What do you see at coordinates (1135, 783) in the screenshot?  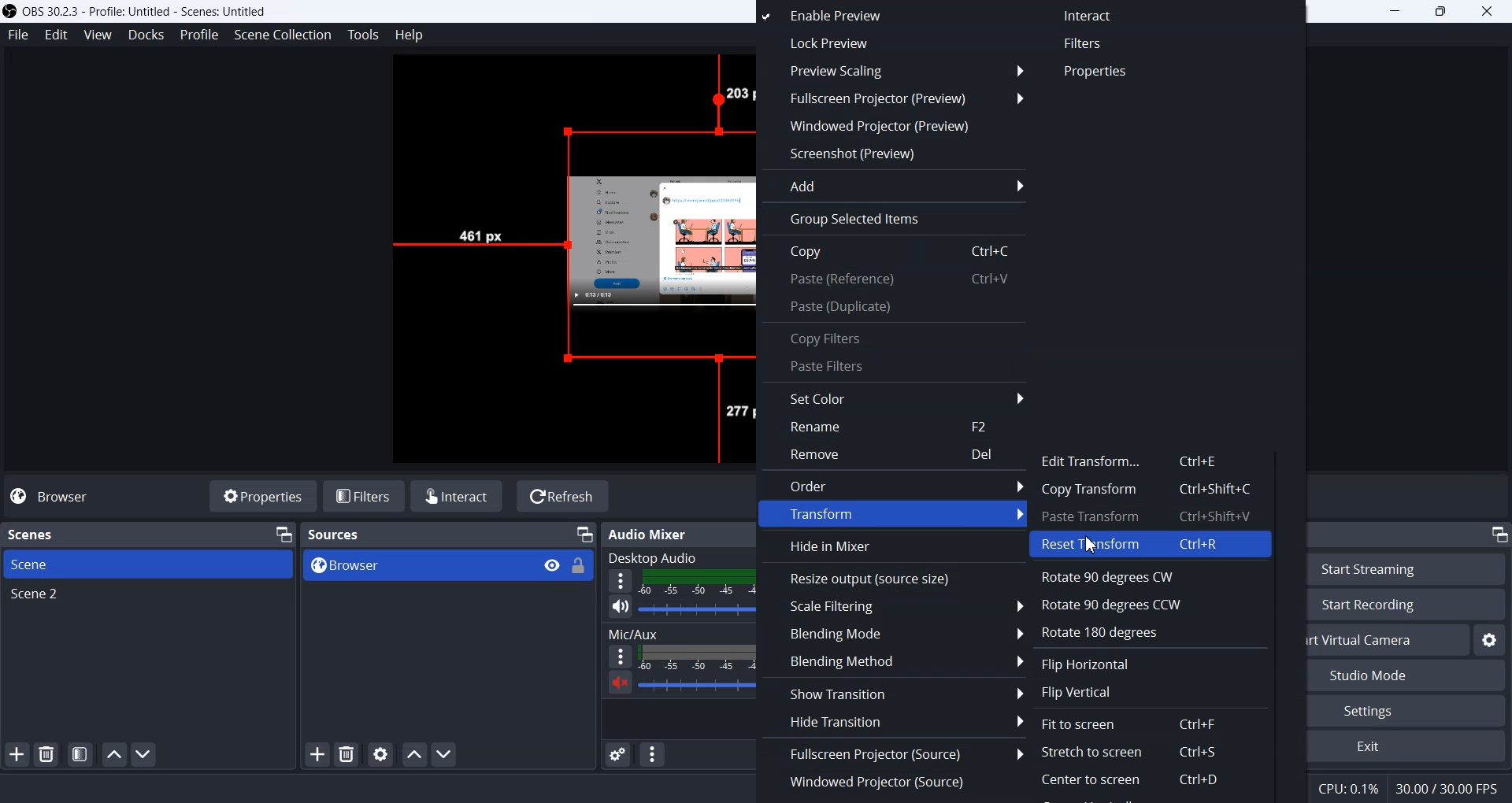 I see `Center to screen` at bounding box center [1135, 783].